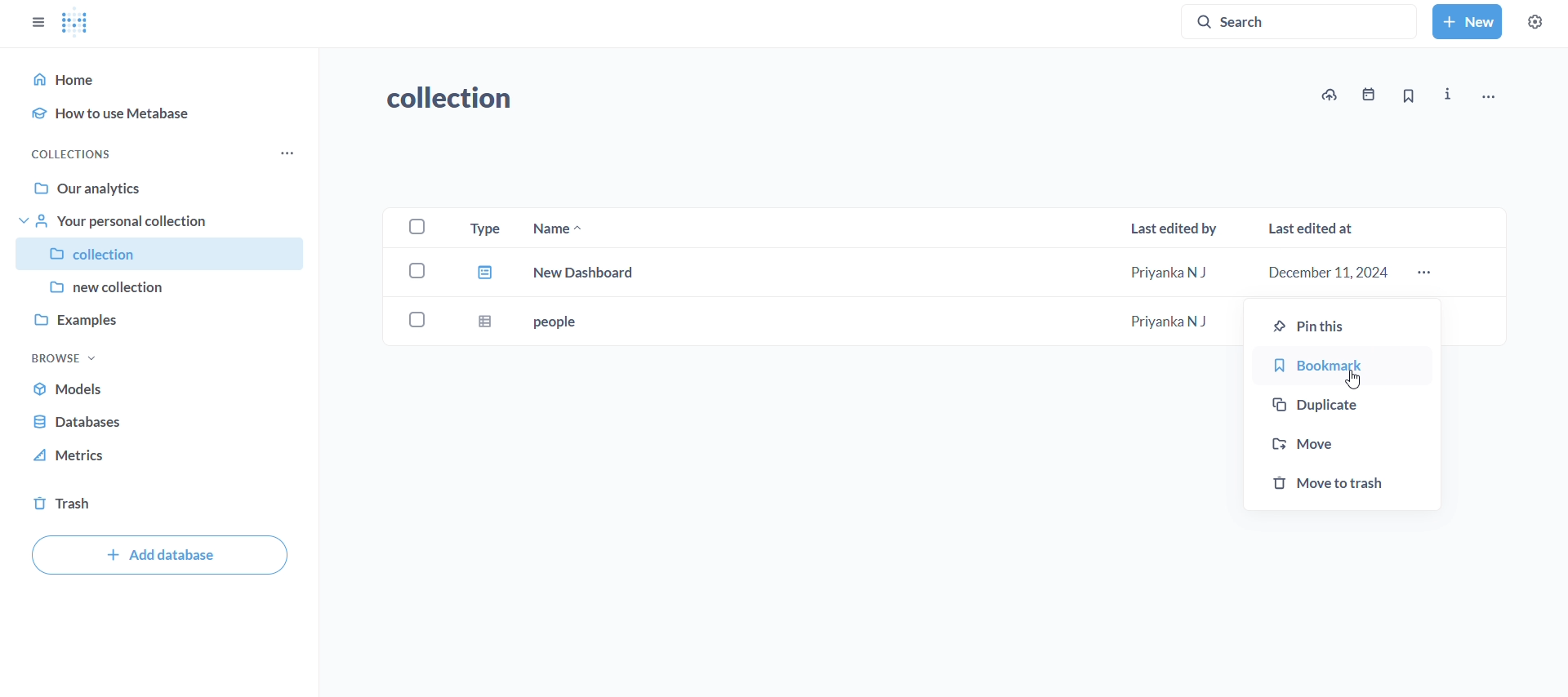 The height and width of the screenshot is (697, 1568). What do you see at coordinates (1467, 20) in the screenshot?
I see `new` at bounding box center [1467, 20].